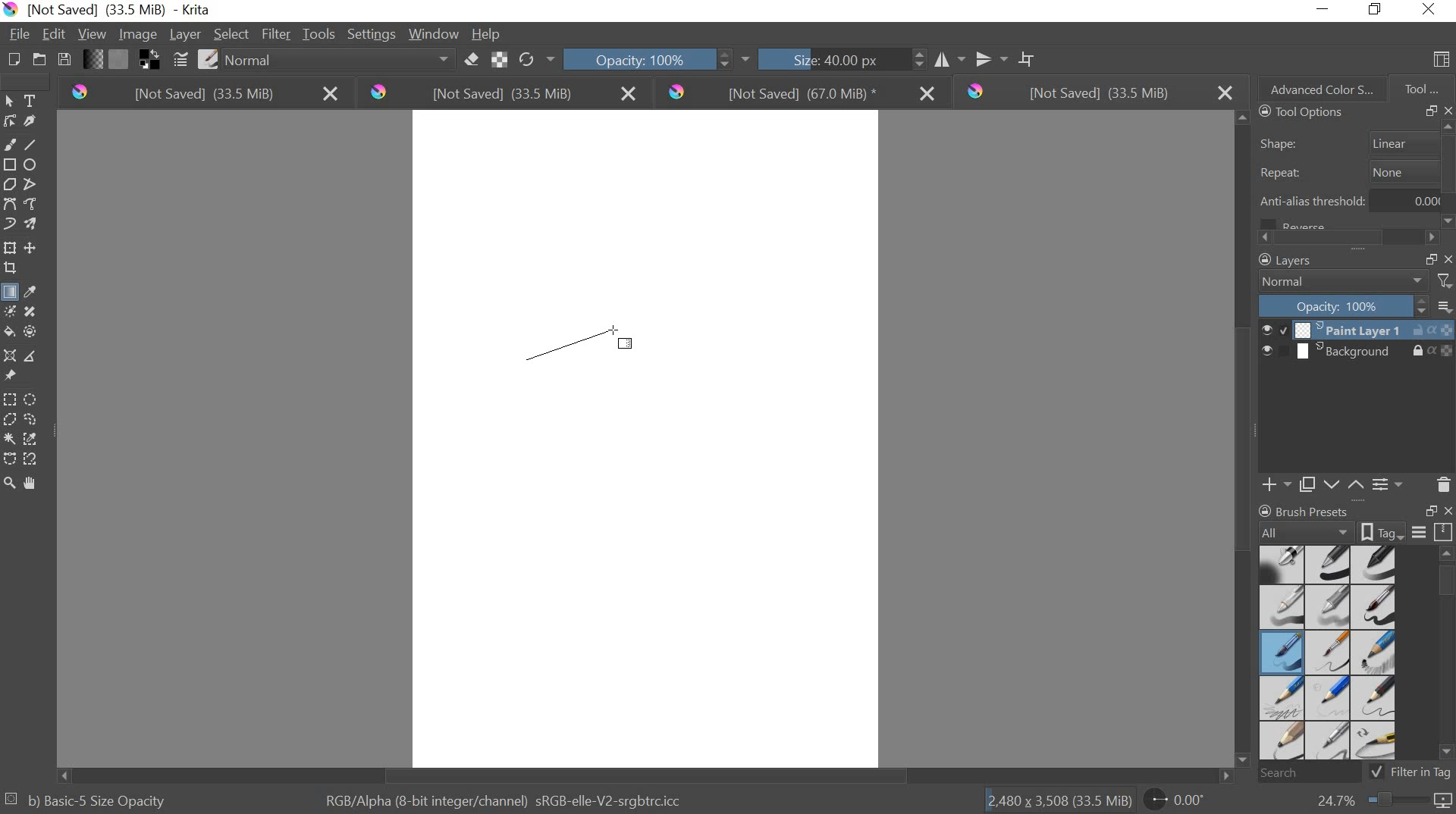  What do you see at coordinates (501, 60) in the screenshot?
I see `PRESERVE ALPHA` at bounding box center [501, 60].